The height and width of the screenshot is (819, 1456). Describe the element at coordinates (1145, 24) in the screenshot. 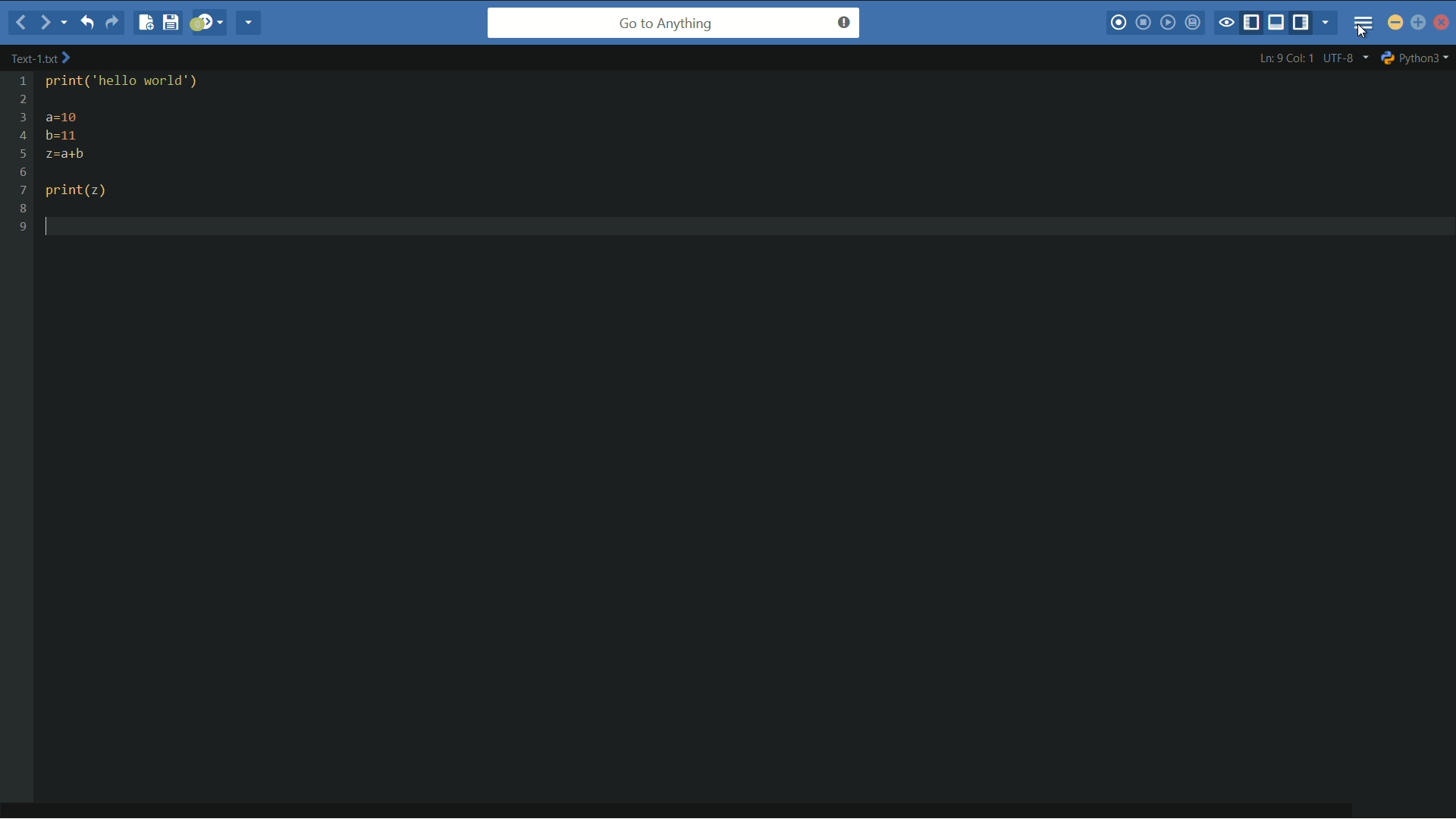

I see `stop macro` at that location.